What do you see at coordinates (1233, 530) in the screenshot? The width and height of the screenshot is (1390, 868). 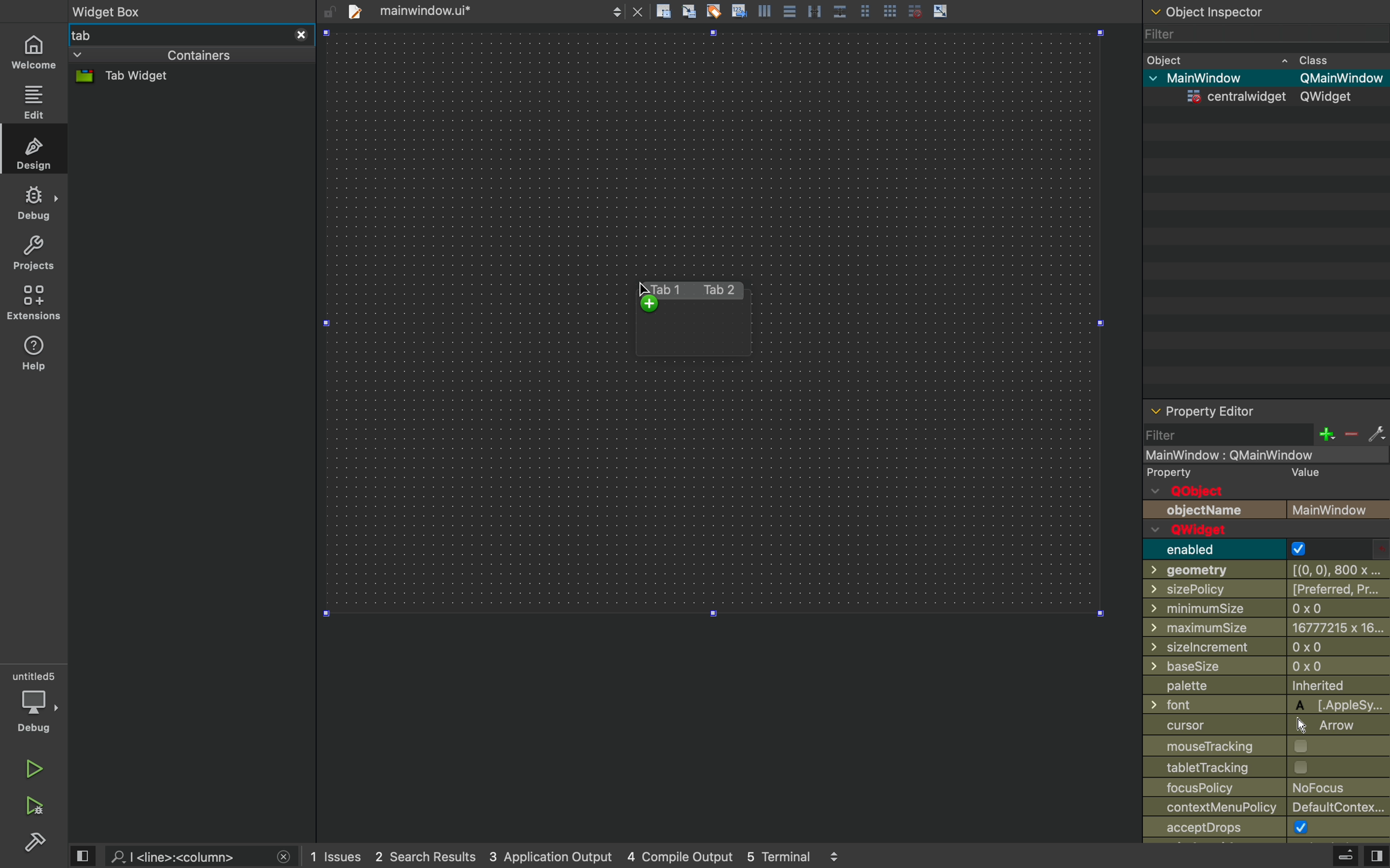 I see `qwidget` at bounding box center [1233, 530].